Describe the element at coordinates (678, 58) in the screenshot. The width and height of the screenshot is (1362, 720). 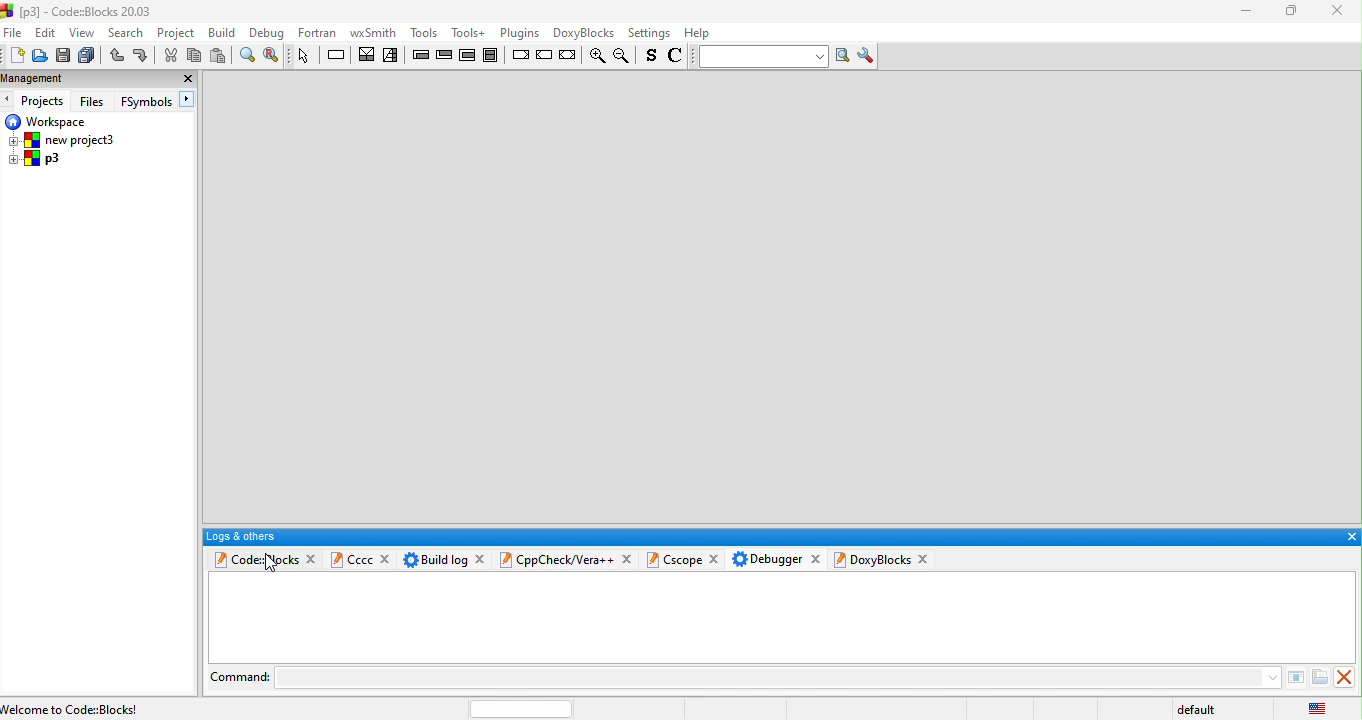
I see `toggle comments` at that location.